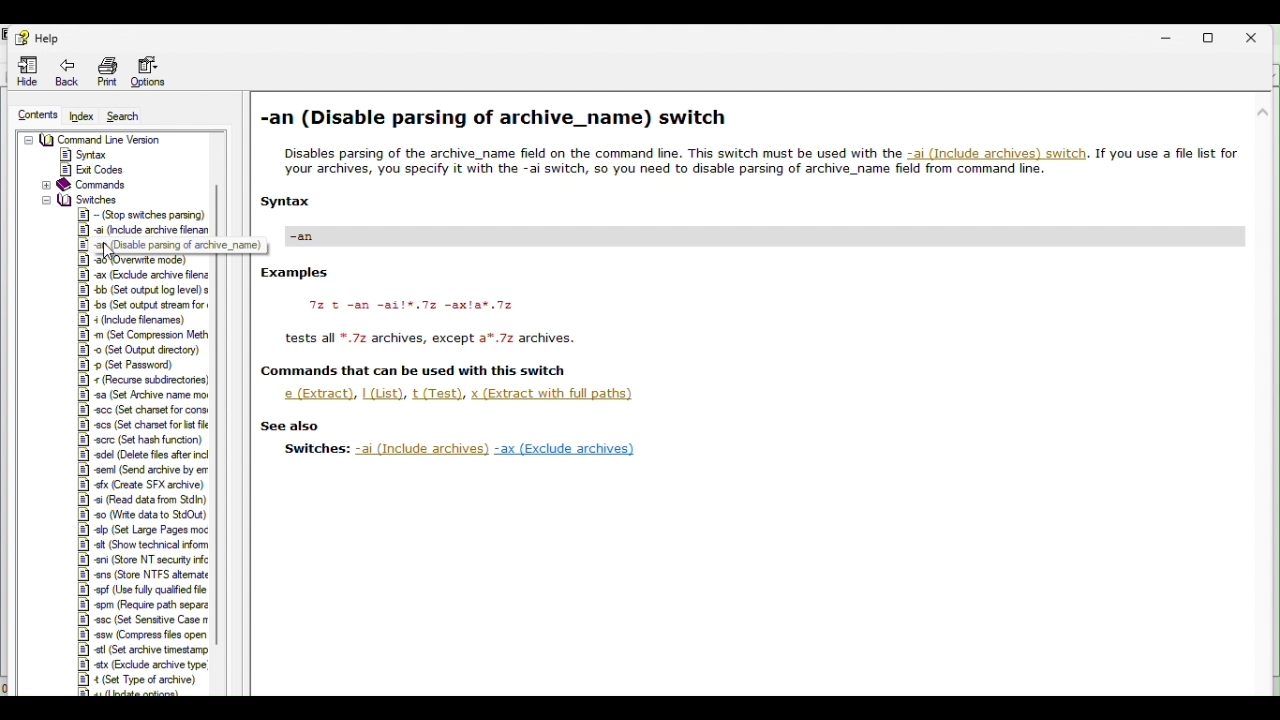 This screenshot has width=1280, height=720. I want to click on 7] + (Read data from Sdn), so click(137, 498).